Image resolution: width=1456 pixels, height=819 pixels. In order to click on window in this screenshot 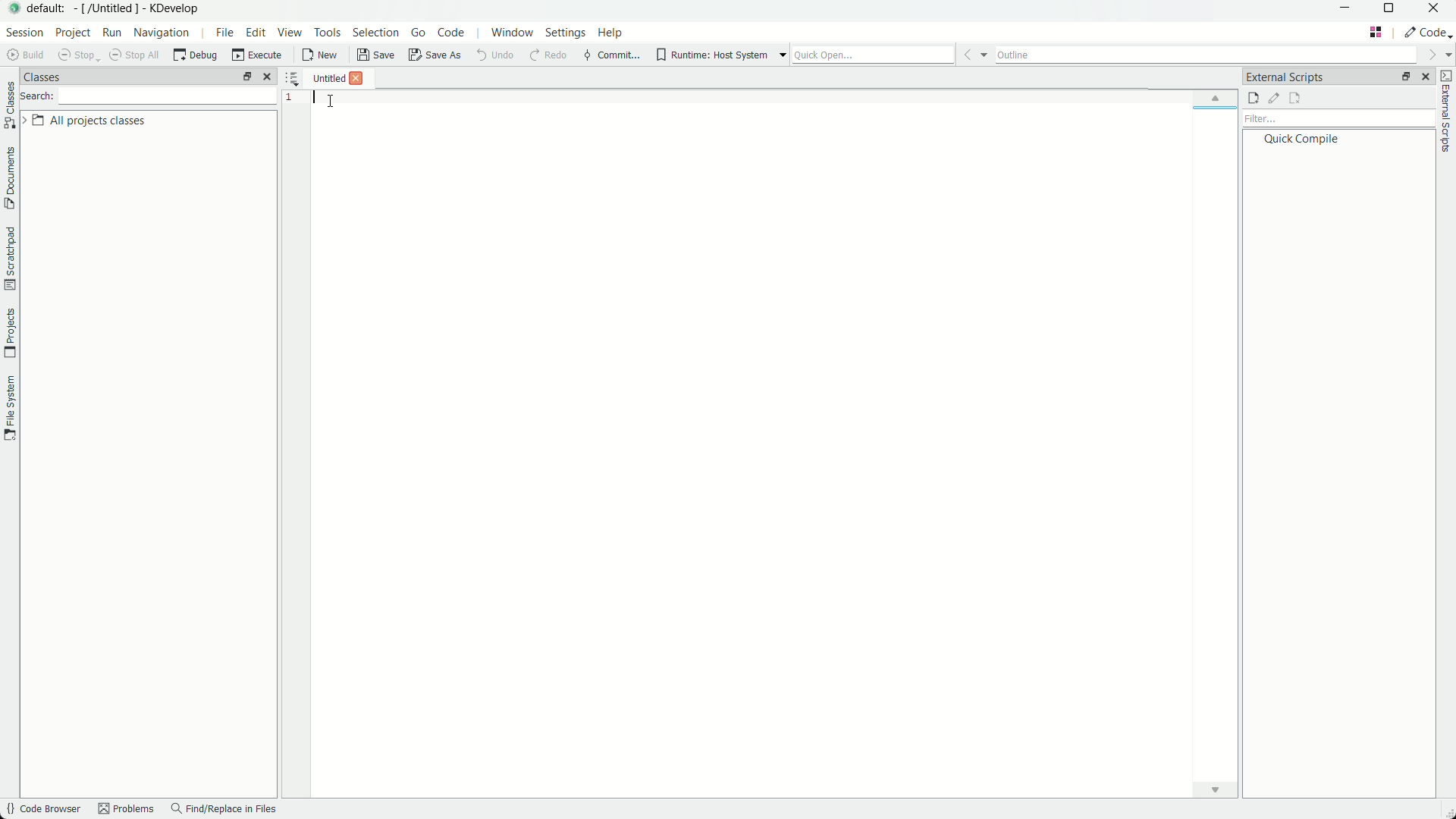, I will do `click(515, 35)`.